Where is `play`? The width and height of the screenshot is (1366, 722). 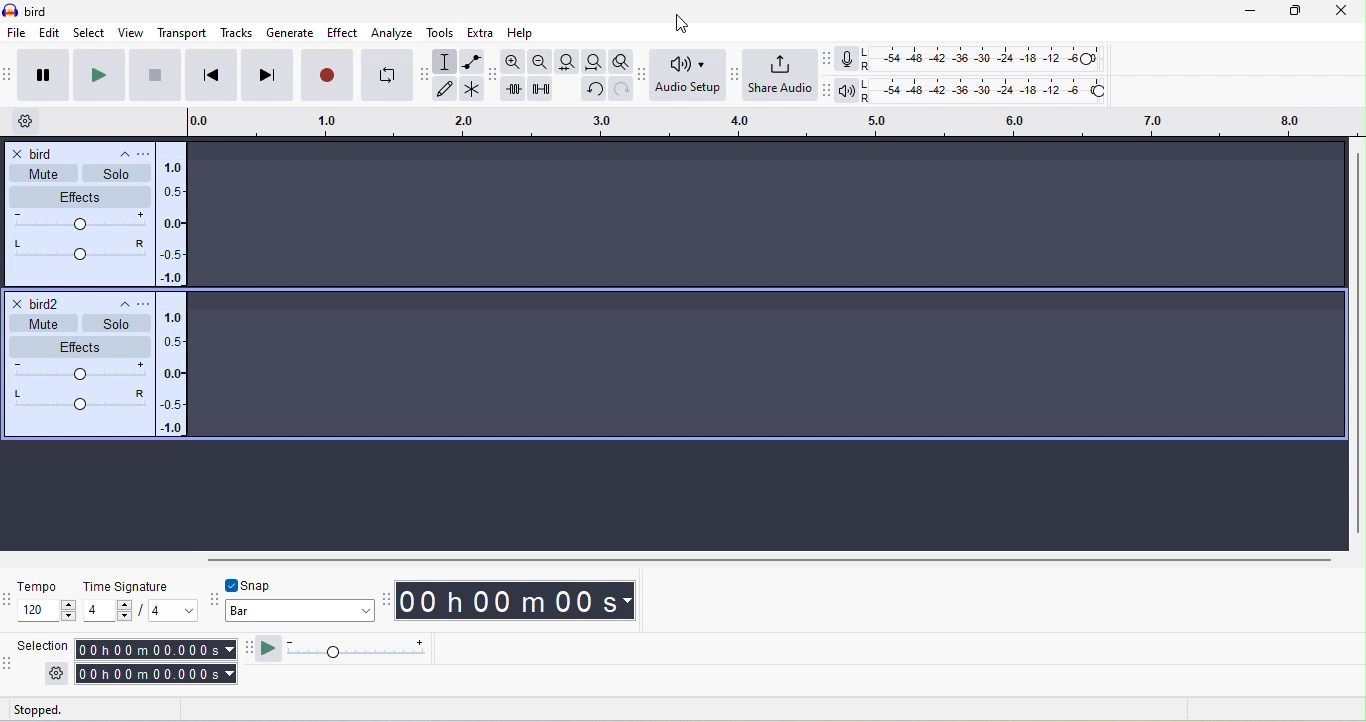
play is located at coordinates (96, 75).